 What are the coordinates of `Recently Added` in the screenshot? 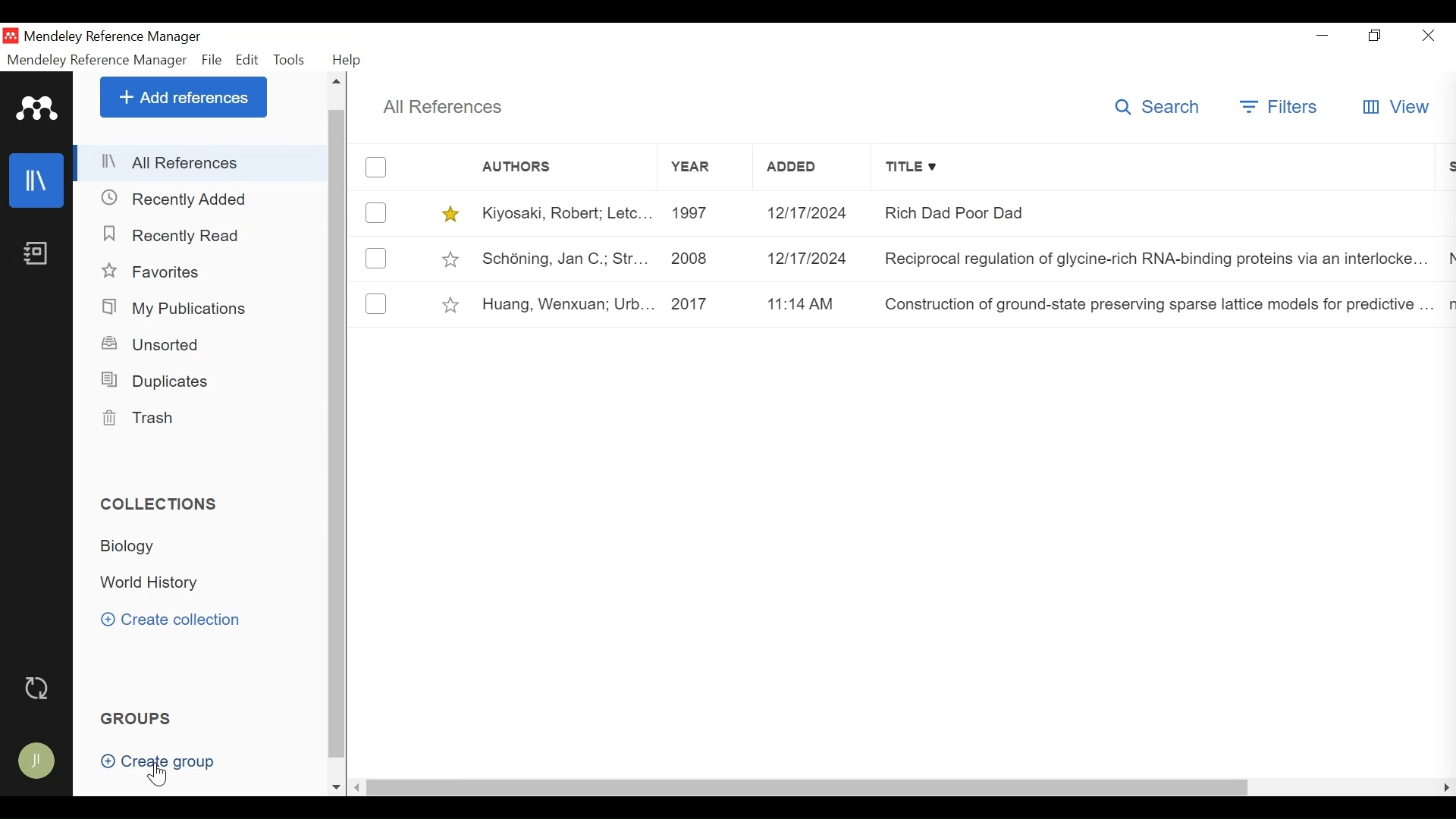 It's located at (177, 199).